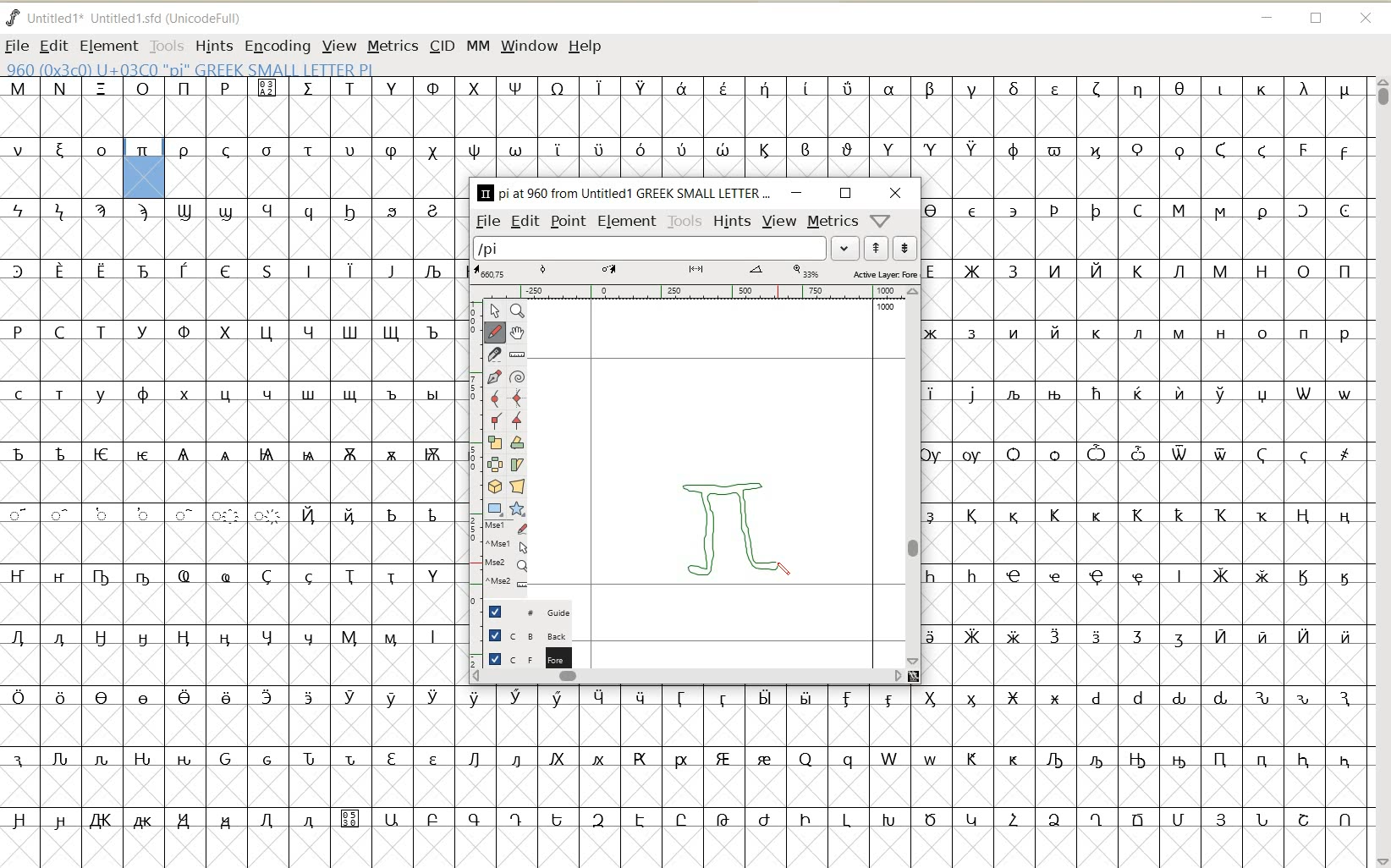 The width and height of the screenshot is (1391, 868). Describe the element at coordinates (493, 442) in the screenshot. I see `scale the selection` at that location.